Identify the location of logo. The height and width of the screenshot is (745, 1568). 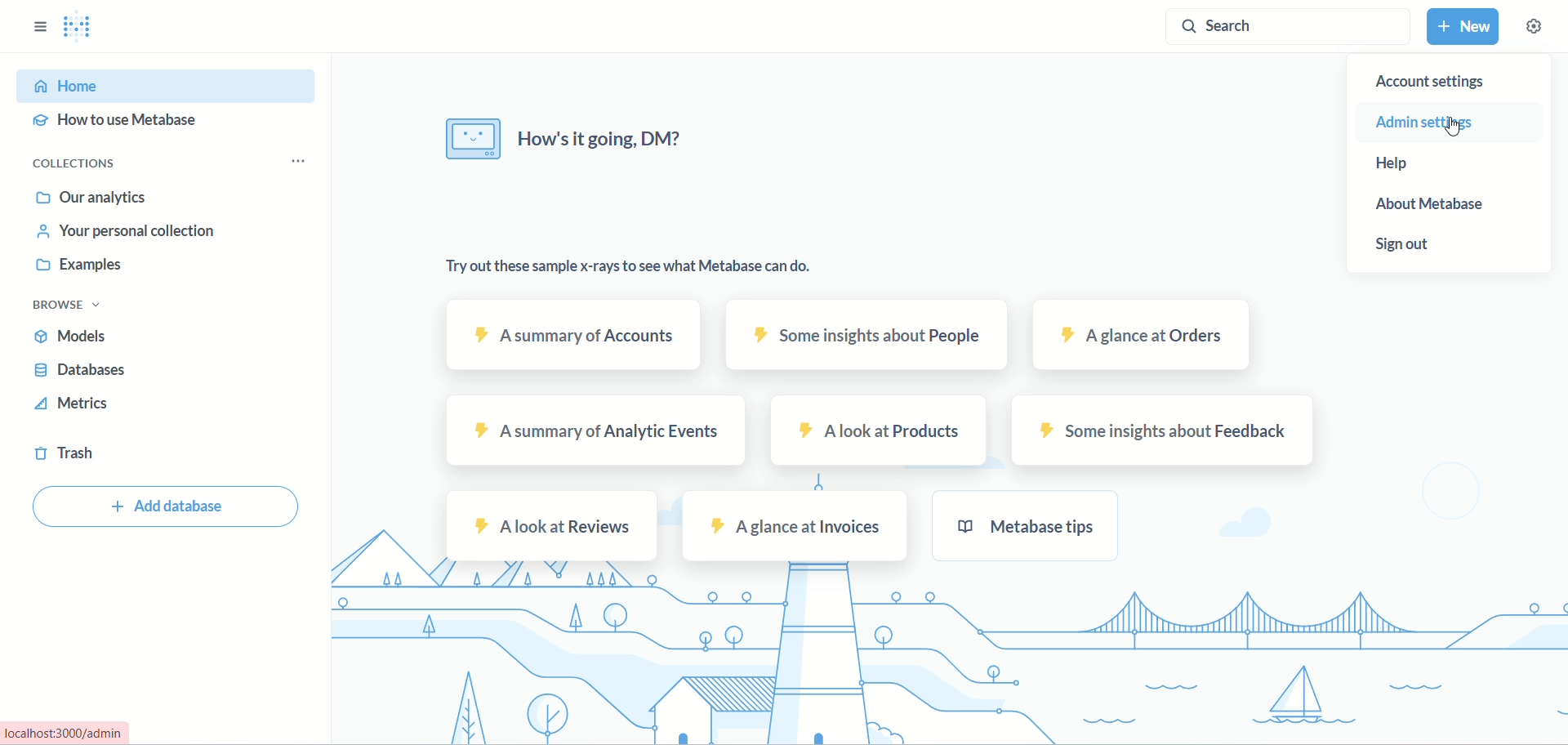
(86, 27).